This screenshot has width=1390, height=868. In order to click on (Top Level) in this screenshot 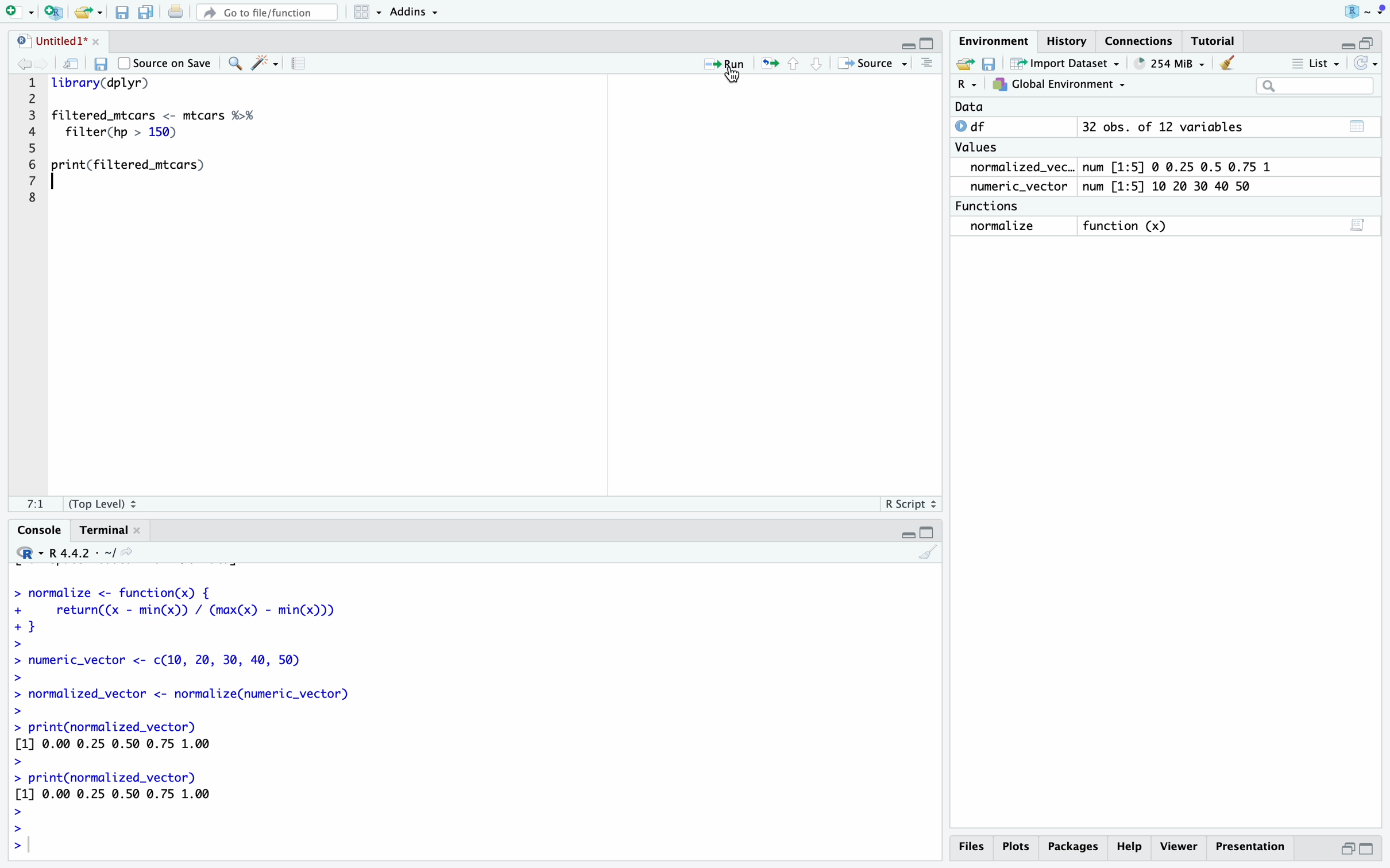, I will do `click(101, 506)`.